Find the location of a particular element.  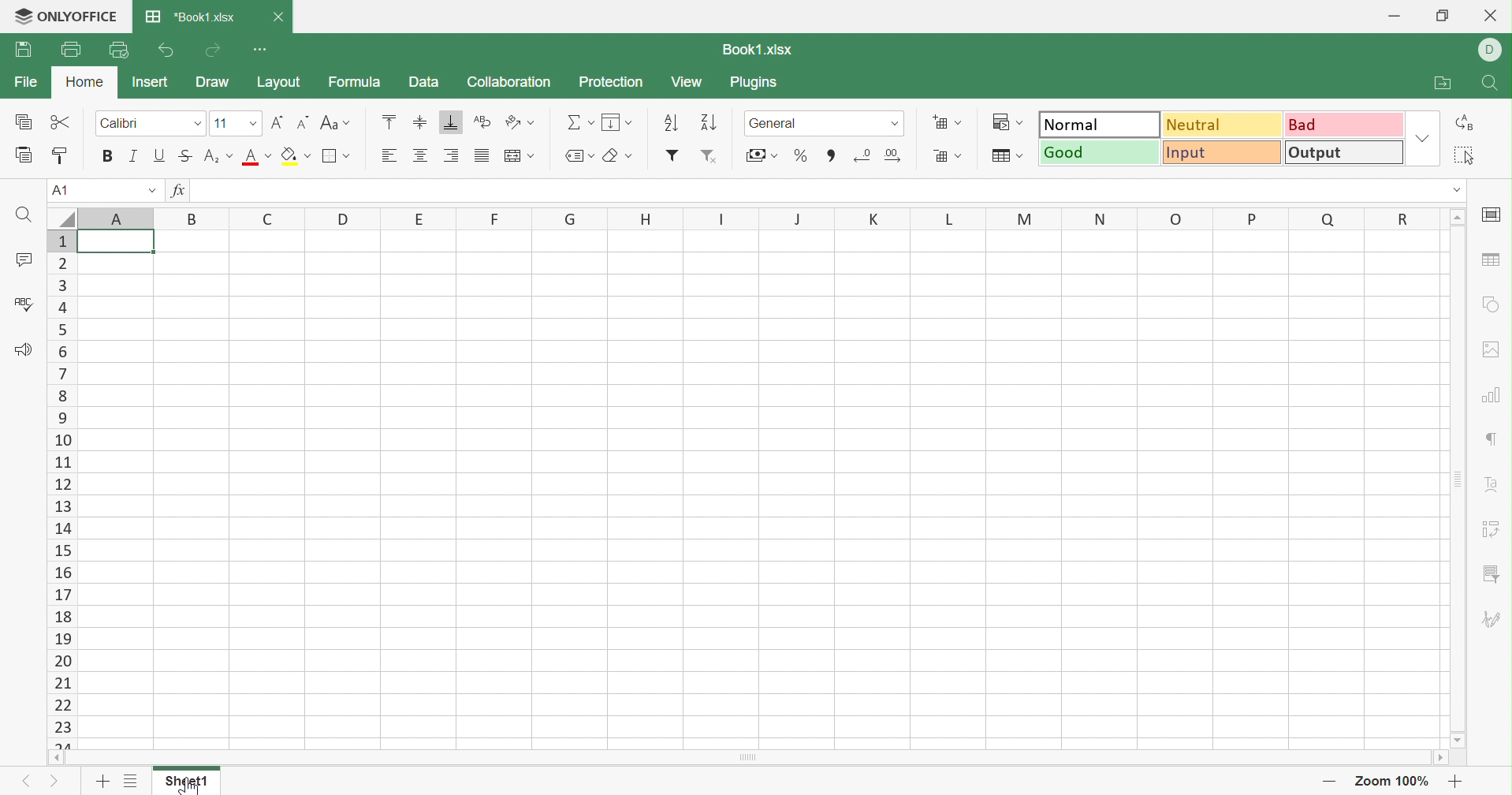

Strikethrough is located at coordinates (184, 155).